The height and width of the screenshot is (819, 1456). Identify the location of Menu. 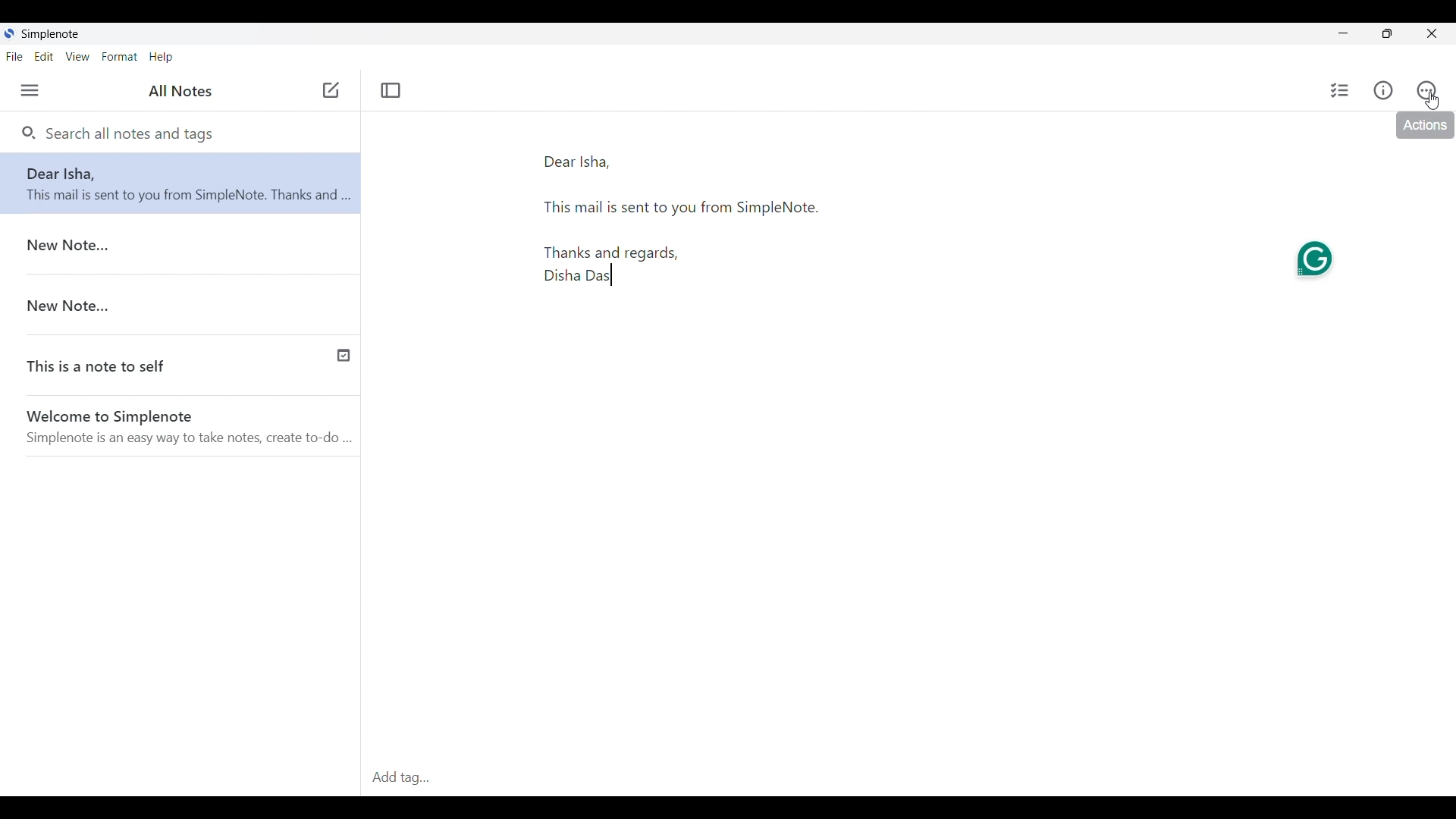
(29, 90).